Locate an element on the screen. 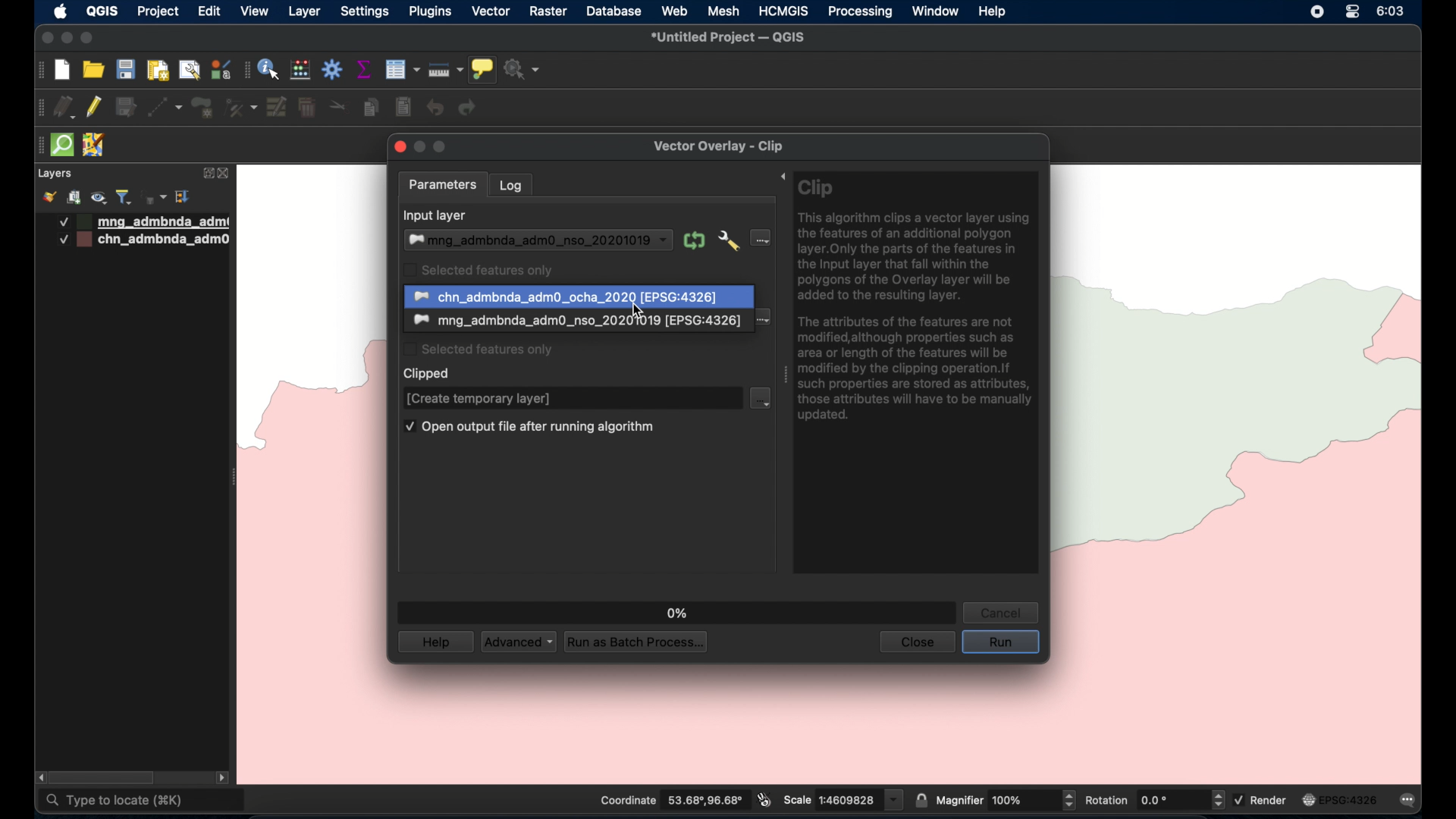  iterate over this layer is located at coordinates (693, 240).